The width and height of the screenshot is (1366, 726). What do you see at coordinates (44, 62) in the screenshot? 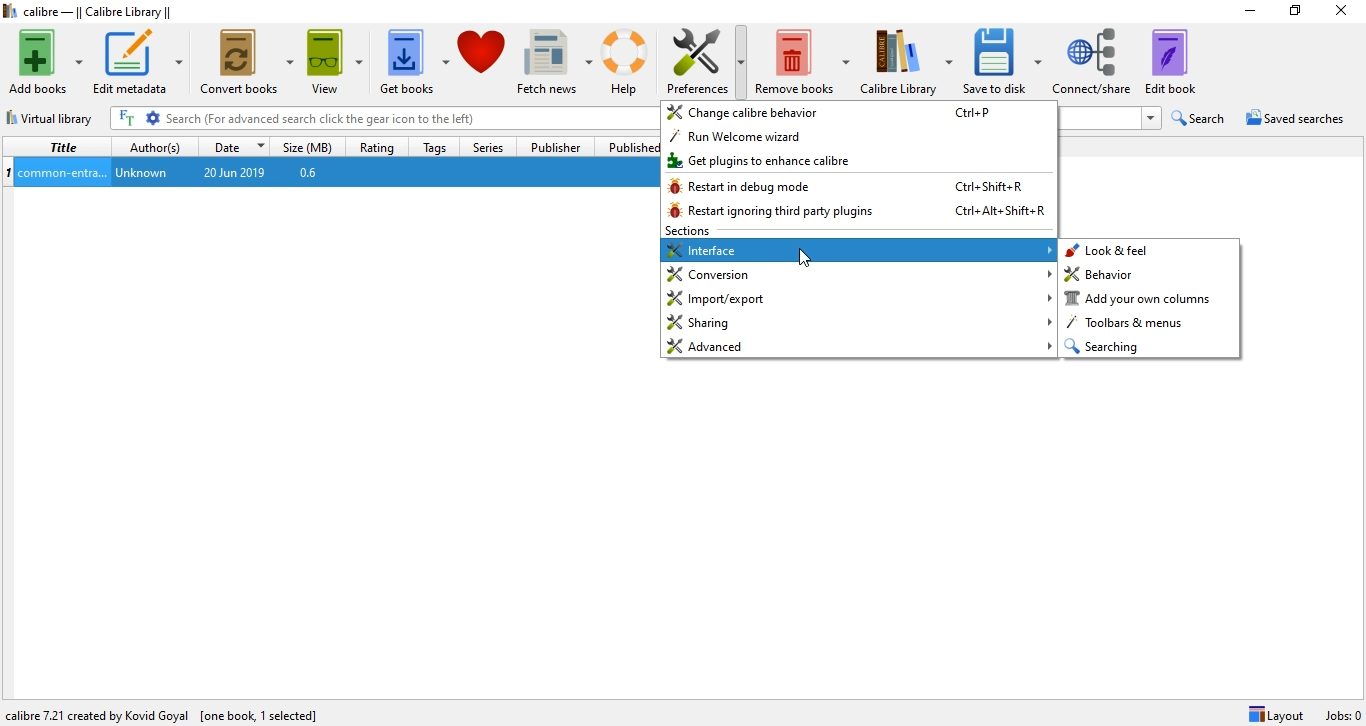
I see `Add books` at bounding box center [44, 62].